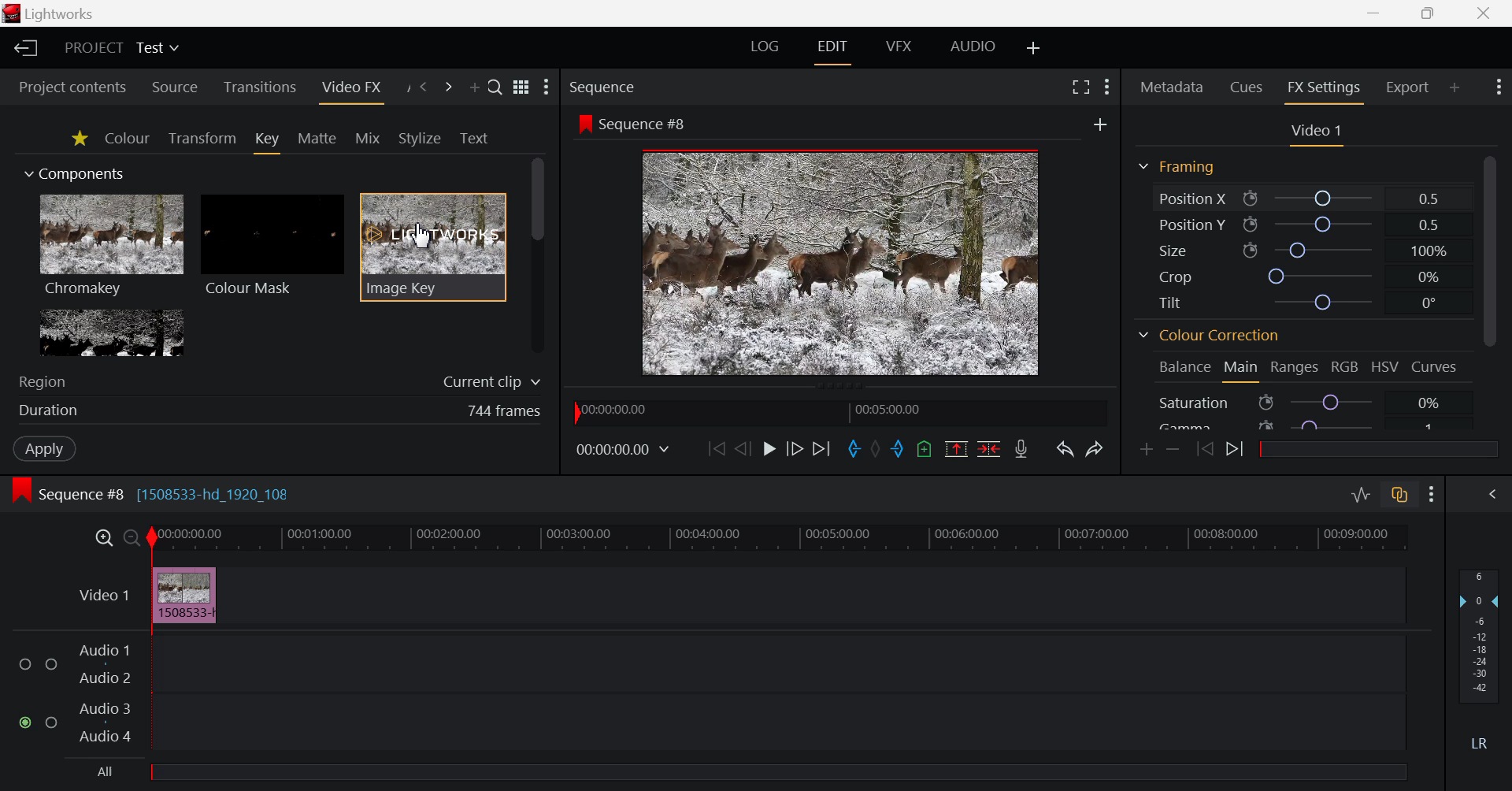 Image resolution: width=1512 pixels, height=791 pixels. I want to click on Chromakey, so click(112, 248).